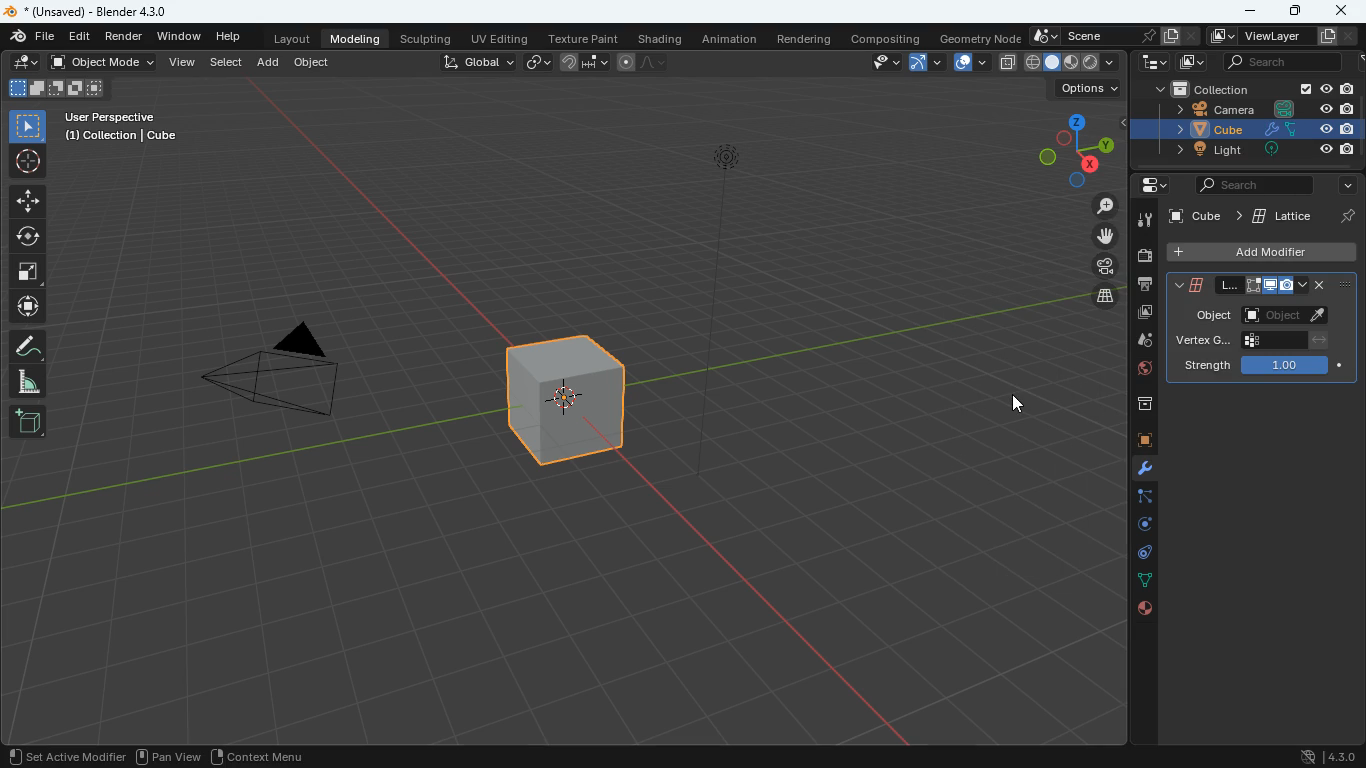 The height and width of the screenshot is (768, 1366). What do you see at coordinates (1145, 220) in the screenshot?
I see `tools` at bounding box center [1145, 220].